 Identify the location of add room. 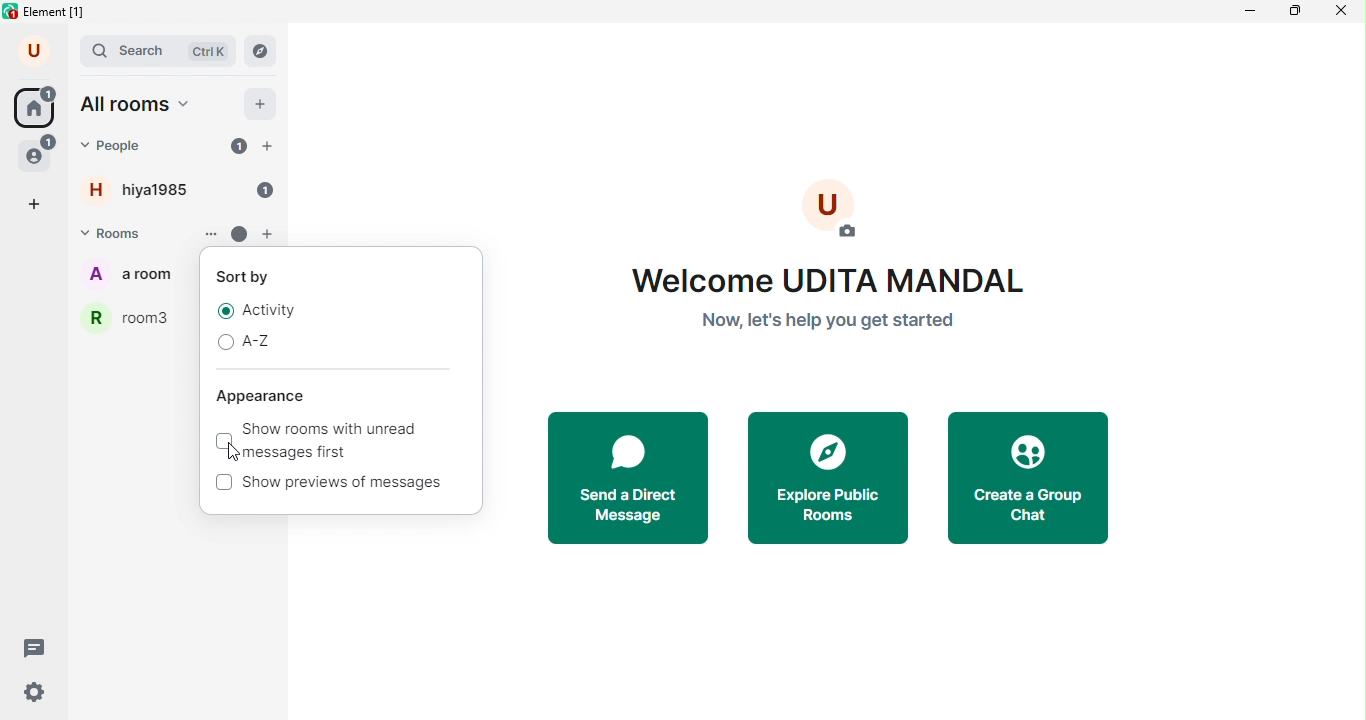
(270, 236).